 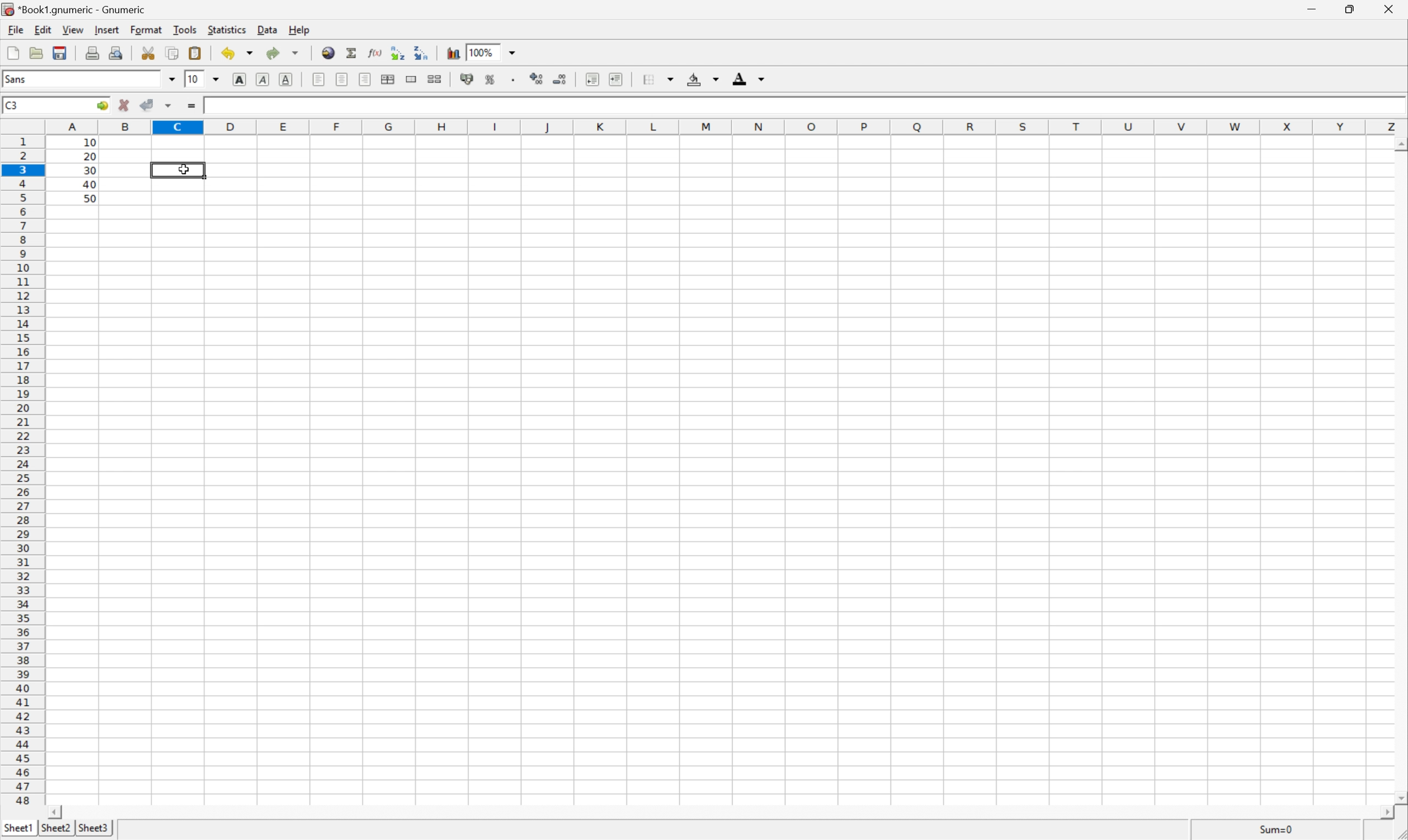 What do you see at coordinates (1379, 812) in the screenshot?
I see `Scroll right` at bounding box center [1379, 812].